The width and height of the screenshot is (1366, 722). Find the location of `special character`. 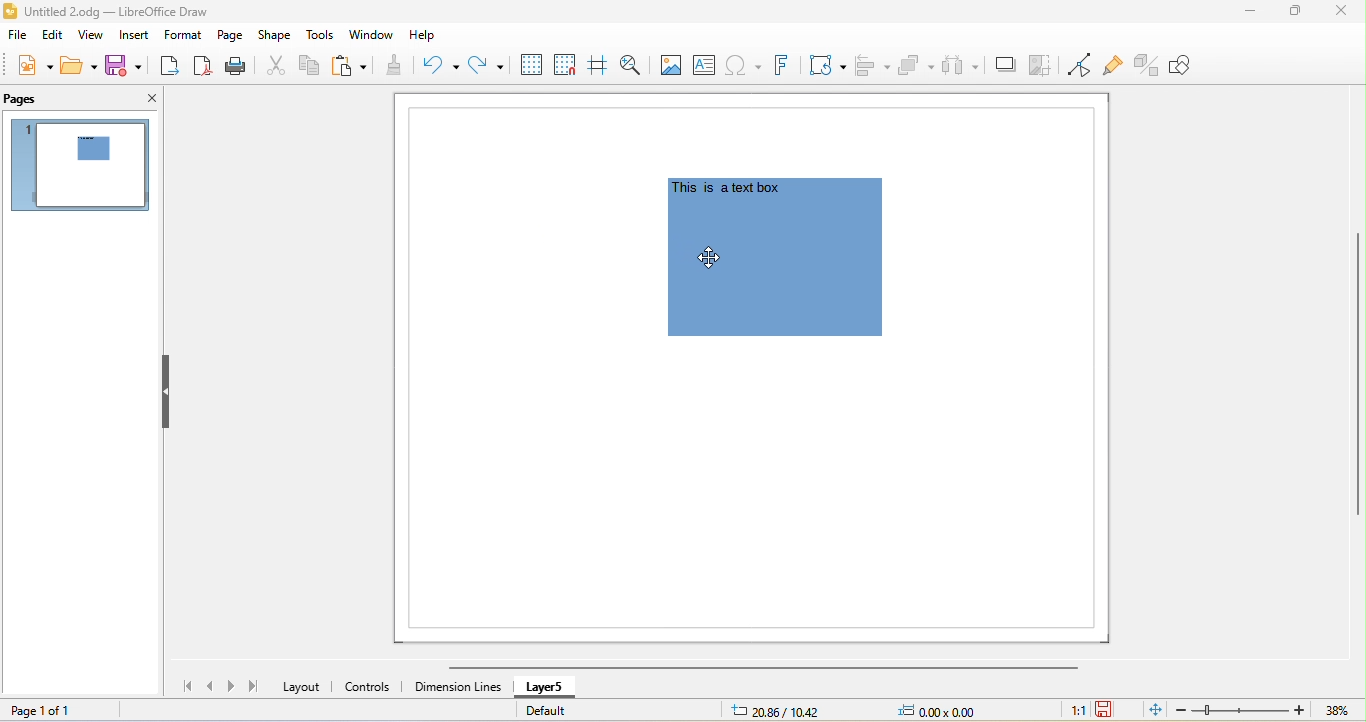

special character is located at coordinates (746, 66).